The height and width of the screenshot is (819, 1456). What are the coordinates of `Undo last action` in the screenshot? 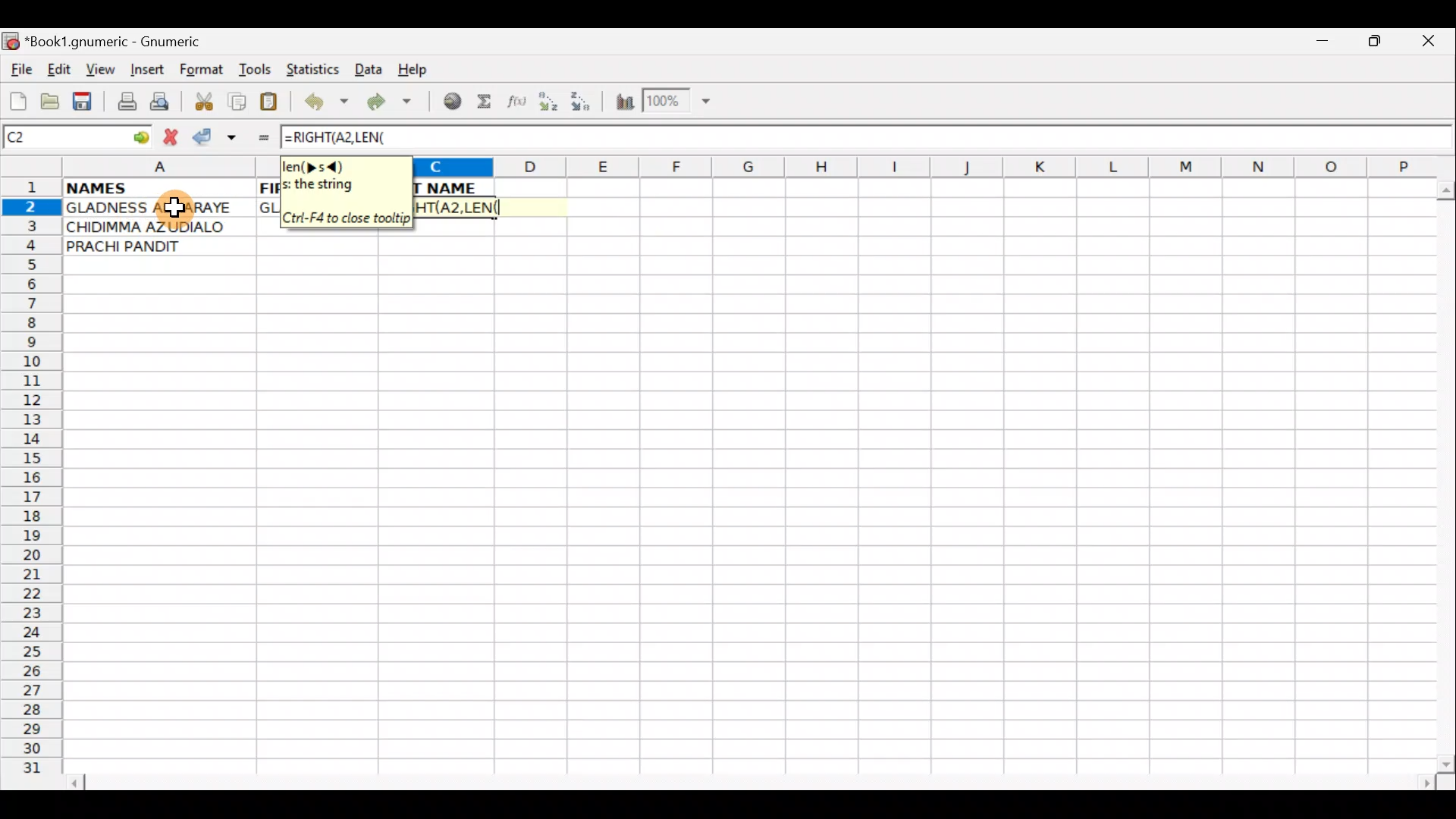 It's located at (328, 104).